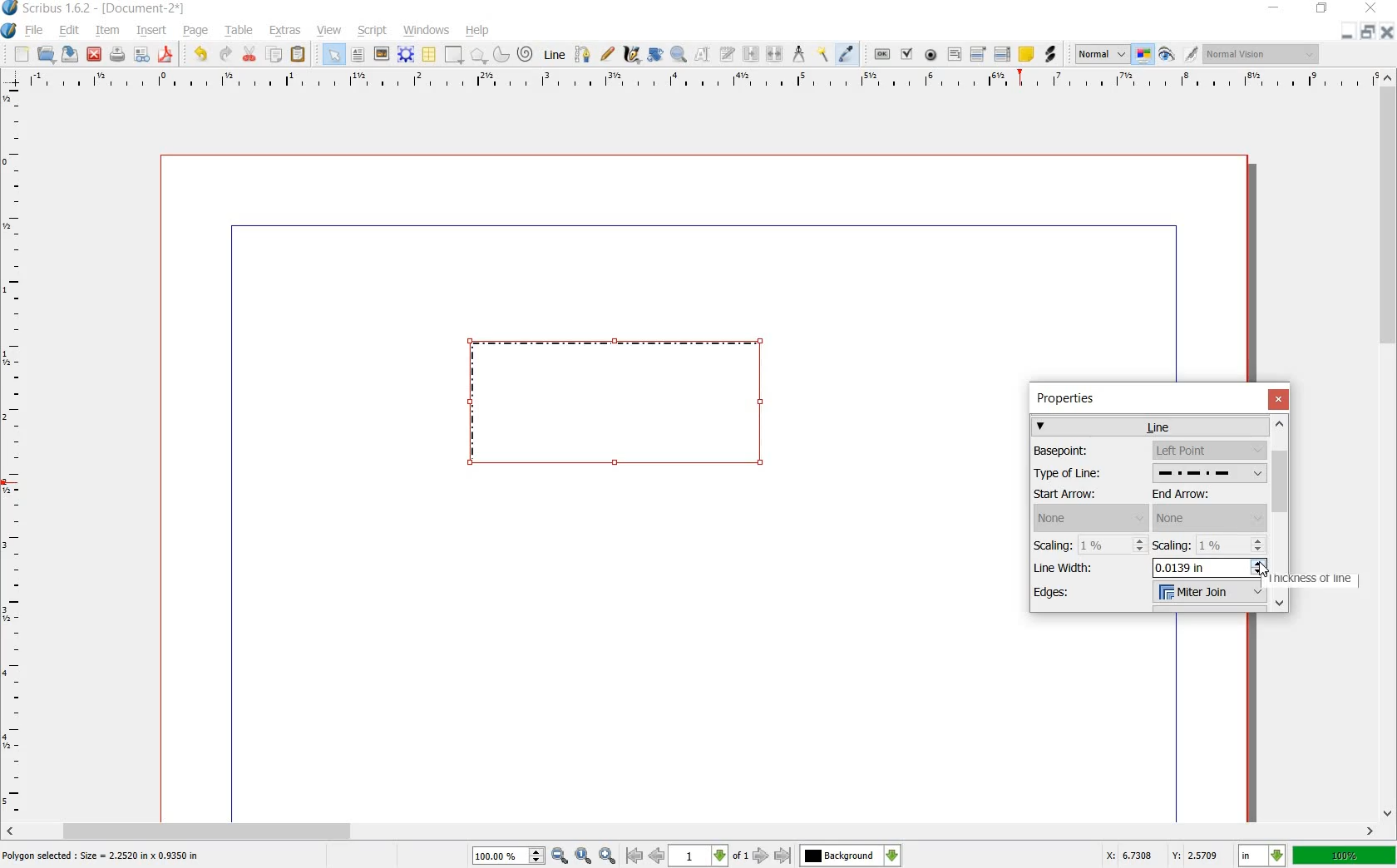 The width and height of the screenshot is (1397, 868). What do you see at coordinates (849, 54) in the screenshot?
I see `EYE DROPPER` at bounding box center [849, 54].